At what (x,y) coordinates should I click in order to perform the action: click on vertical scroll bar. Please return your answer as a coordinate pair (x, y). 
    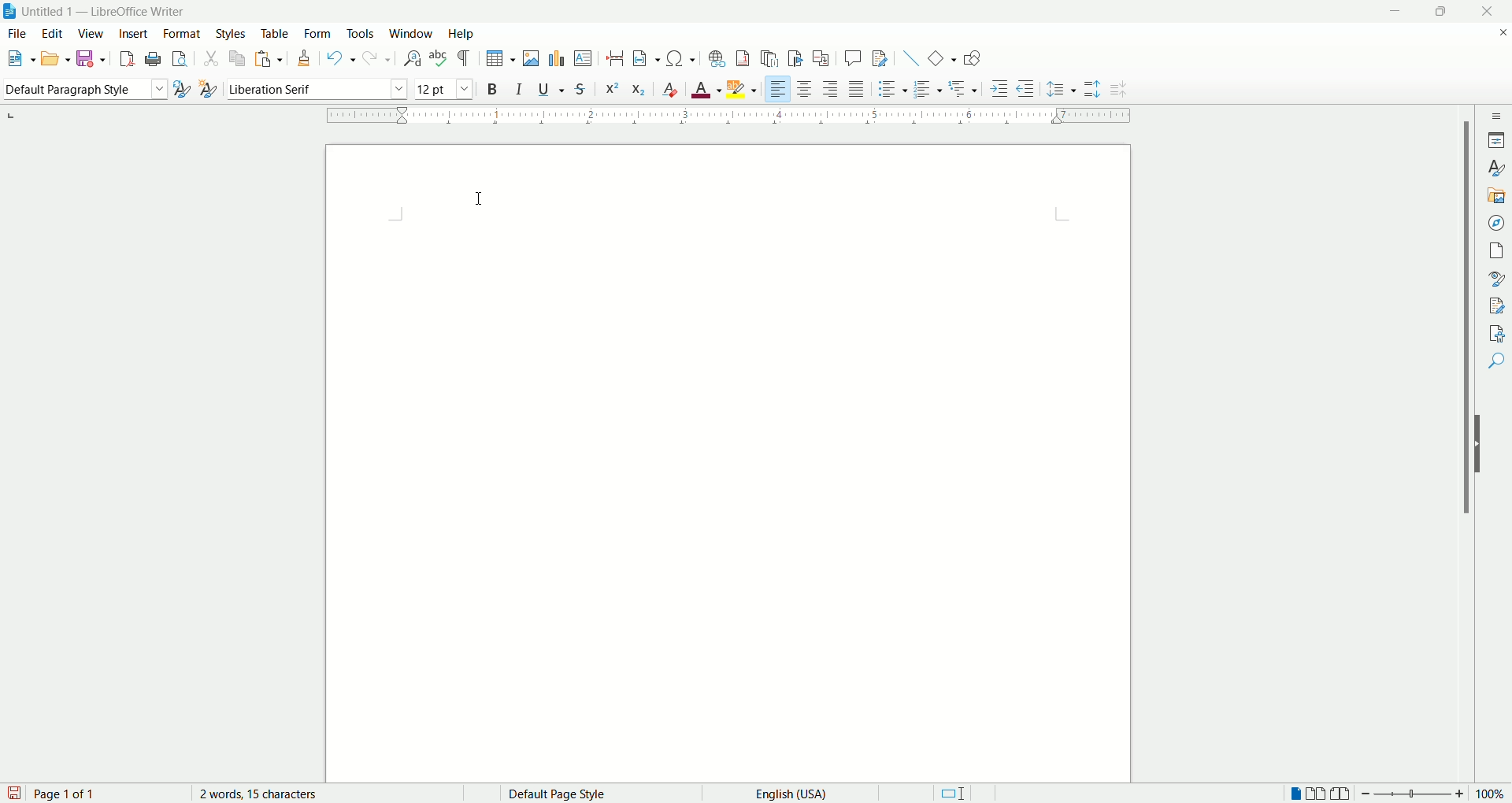
    Looking at the image, I should click on (1461, 446).